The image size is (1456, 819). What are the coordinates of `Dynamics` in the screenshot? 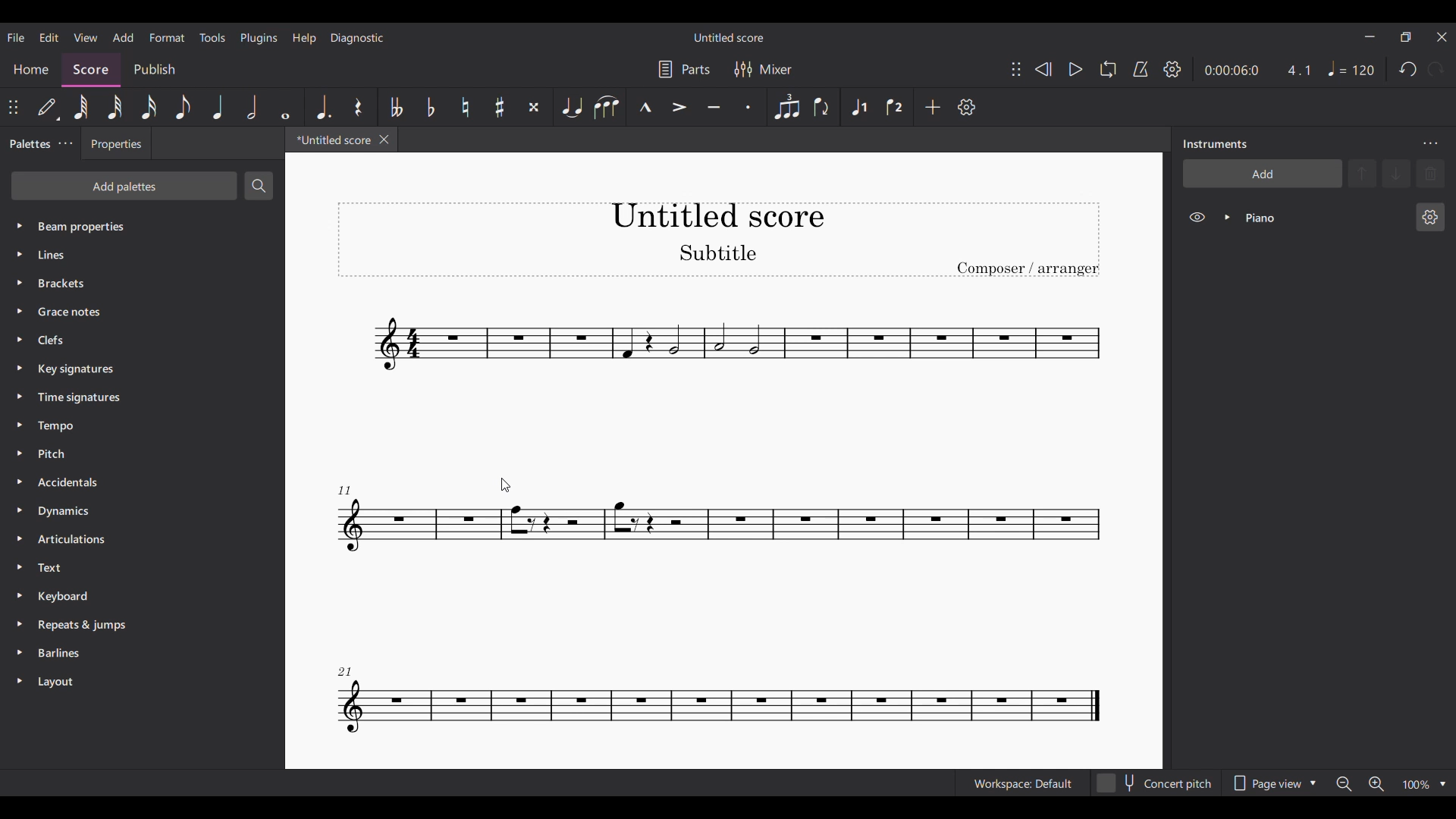 It's located at (127, 513).